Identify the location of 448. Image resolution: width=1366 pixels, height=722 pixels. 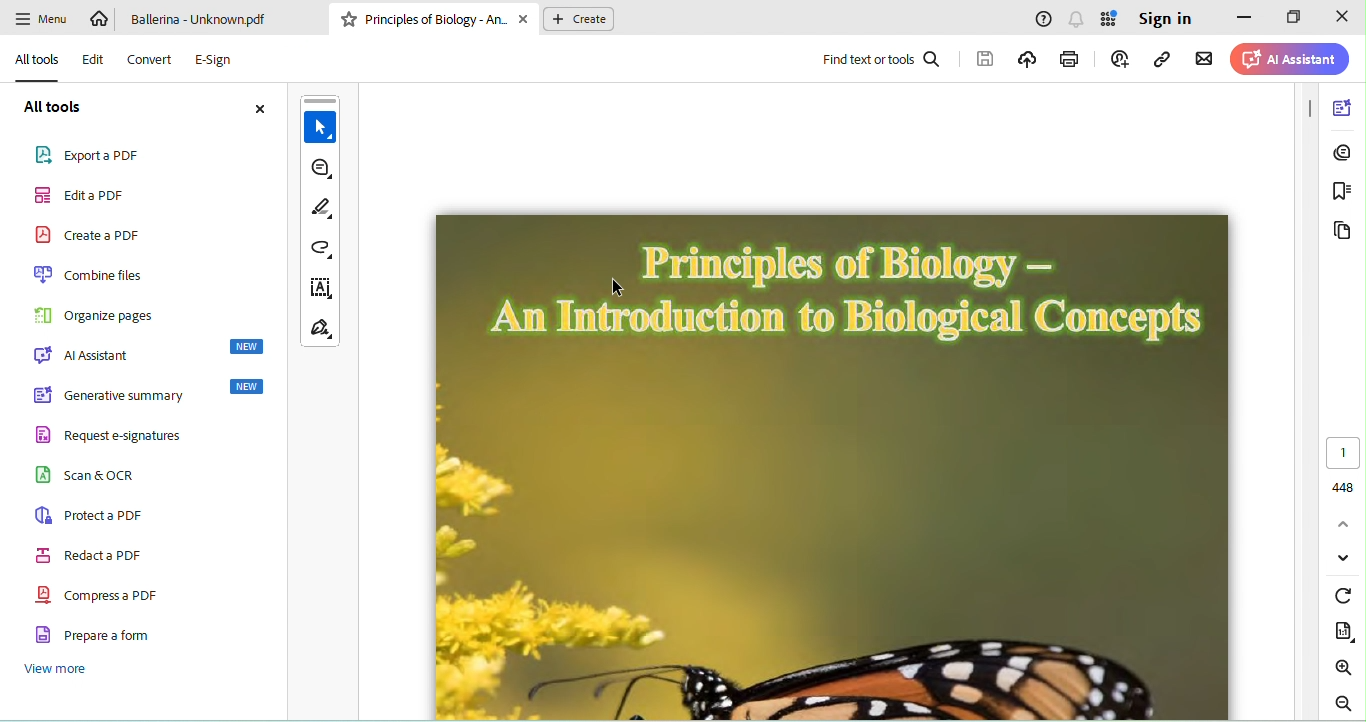
(1341, 486).